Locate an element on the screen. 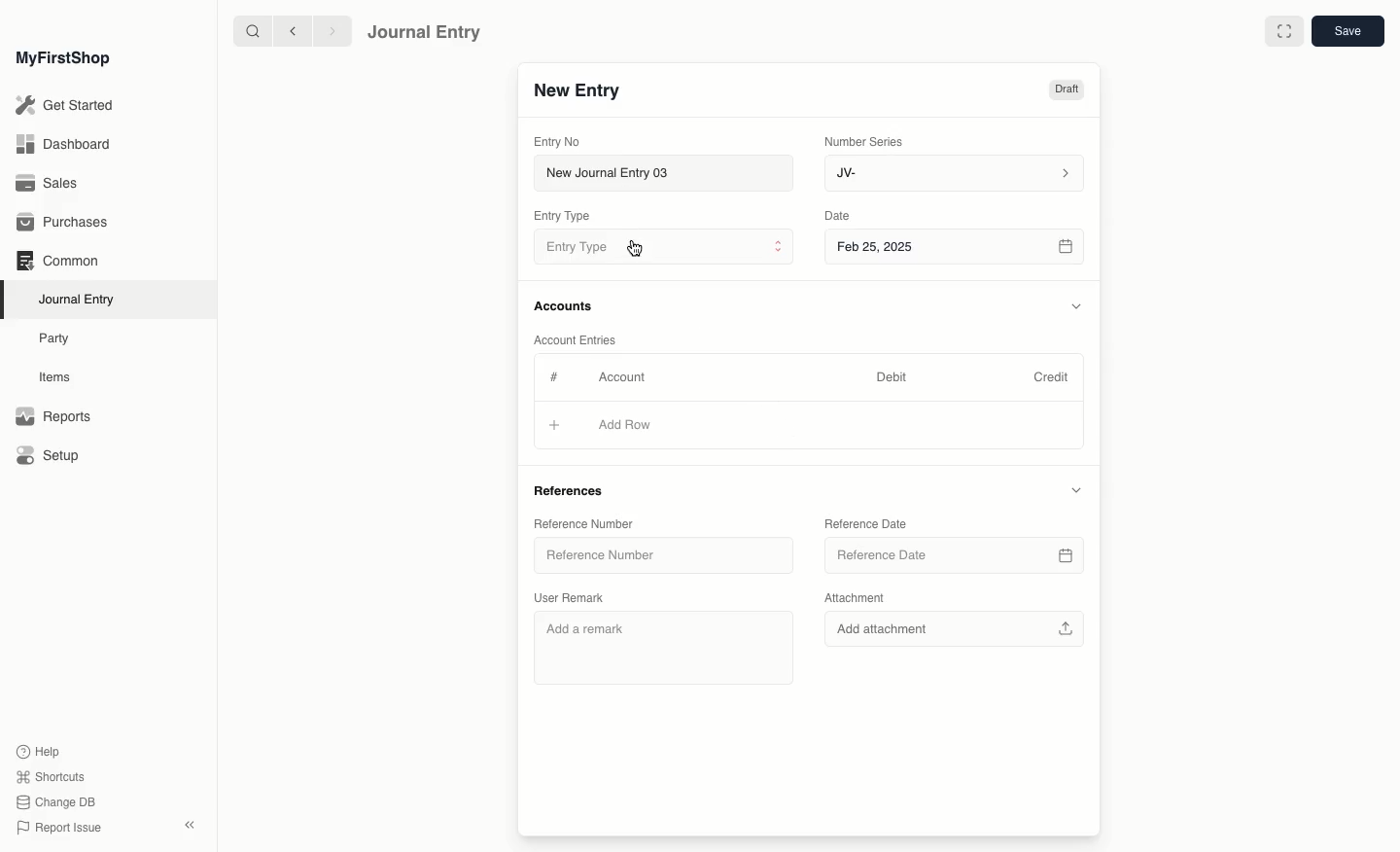  Dashboard is located at coordinates (62, 143).